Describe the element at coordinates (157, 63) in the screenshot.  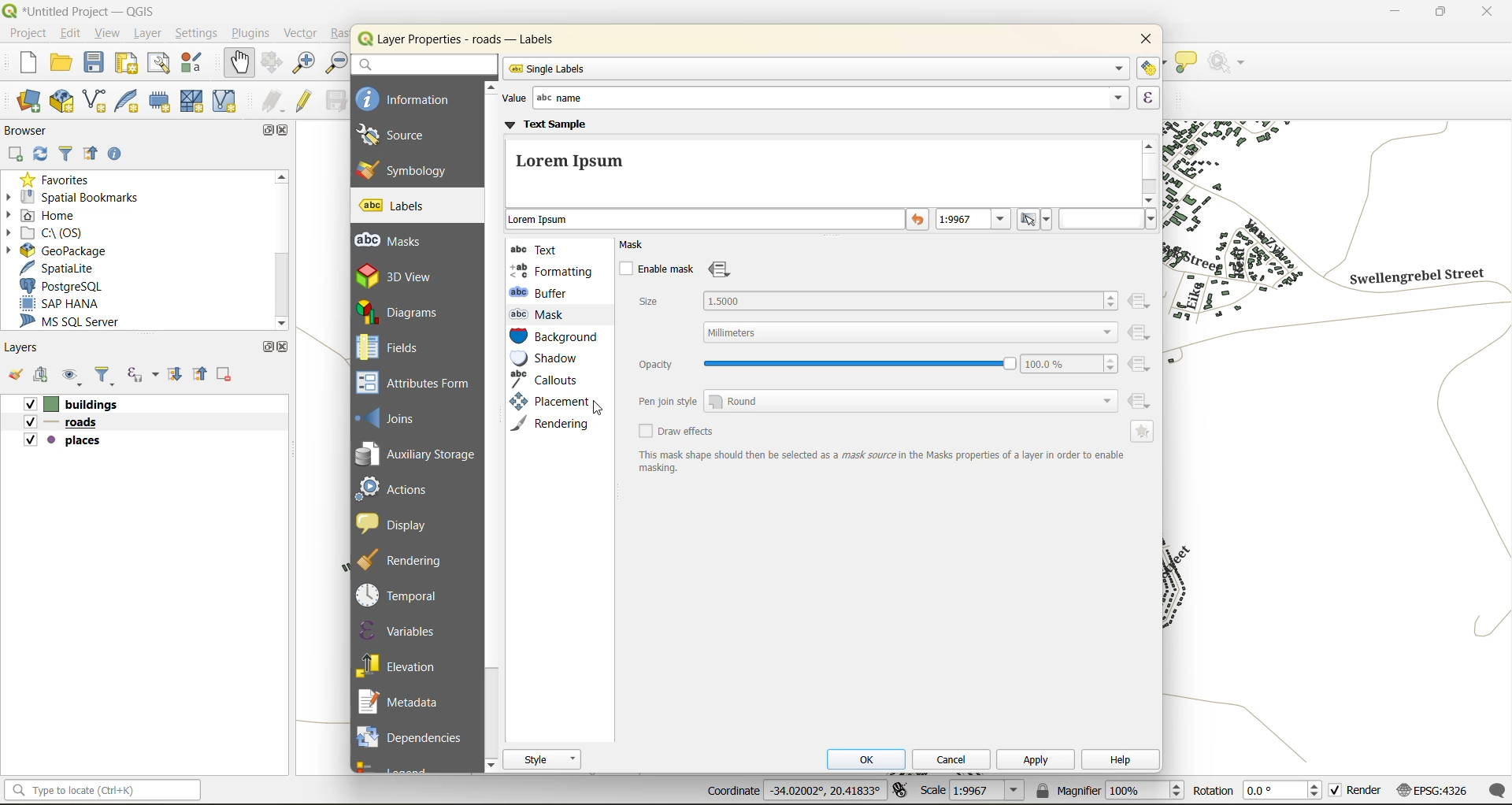
I see `show layout` at that location.